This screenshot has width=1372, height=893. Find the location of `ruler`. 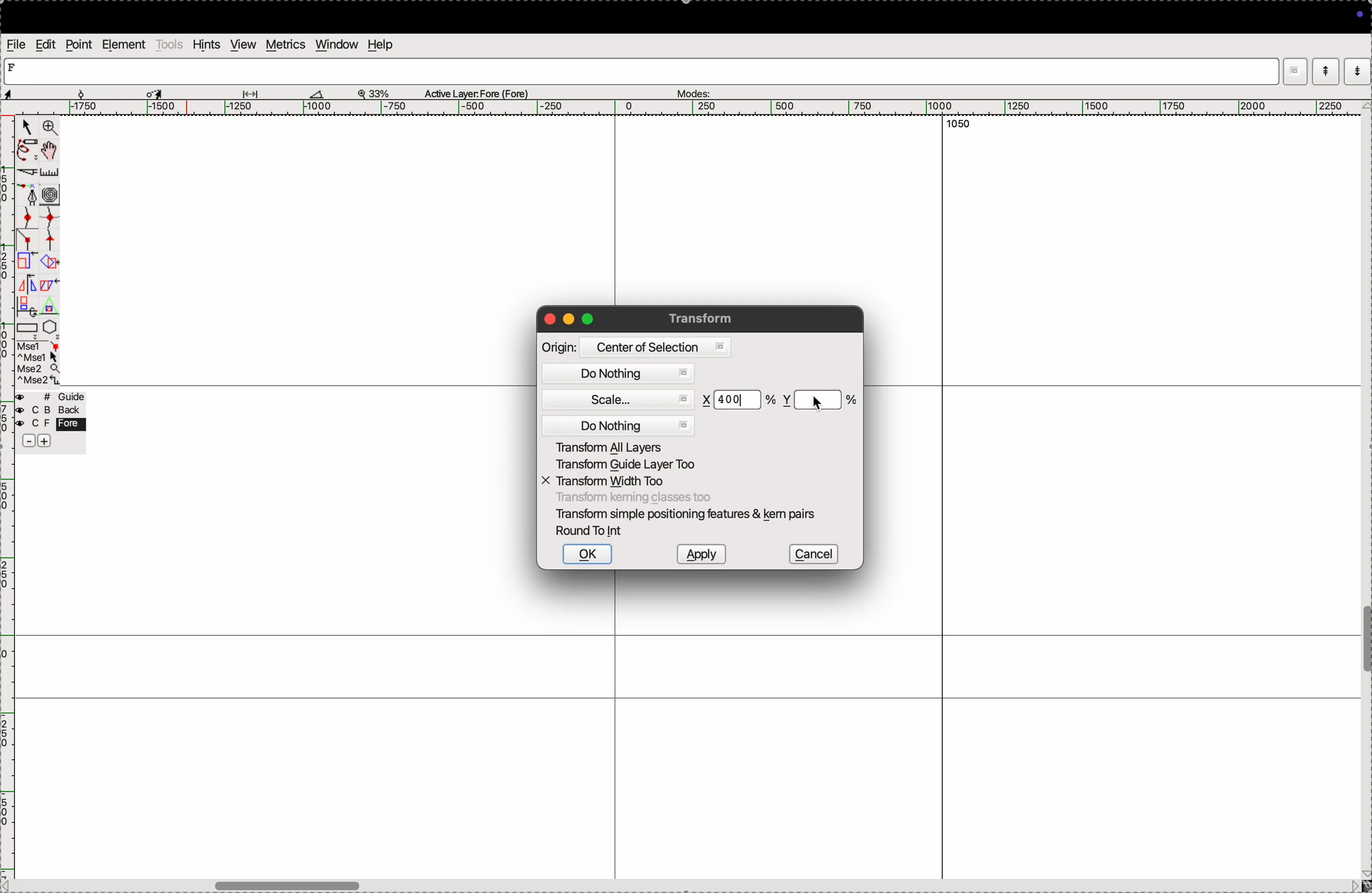

ruler is located at coordinates (56, 173).